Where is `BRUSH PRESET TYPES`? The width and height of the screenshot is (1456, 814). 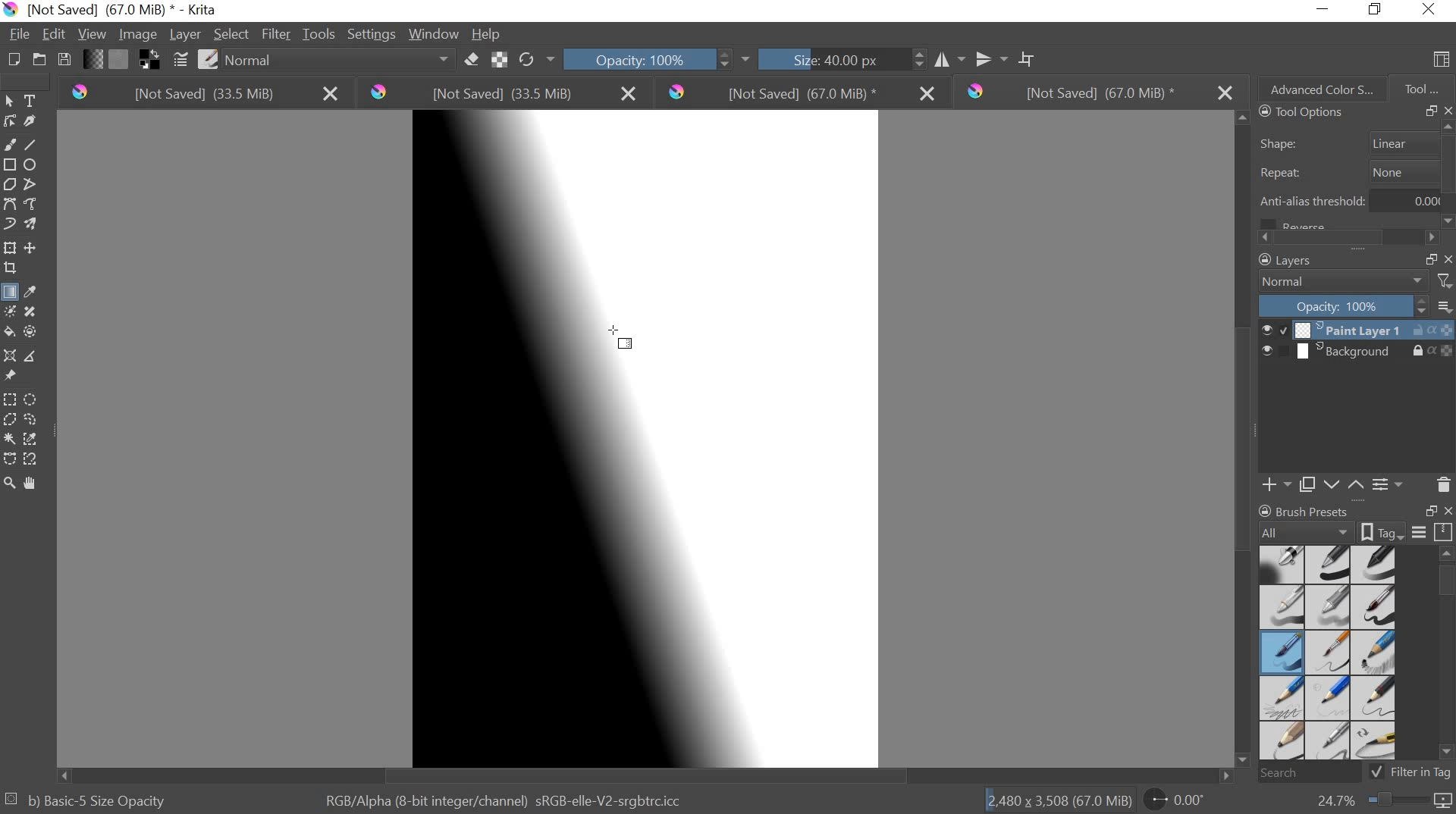
BRUSH PRESET TYPES is located at coordinates (1332, 653).